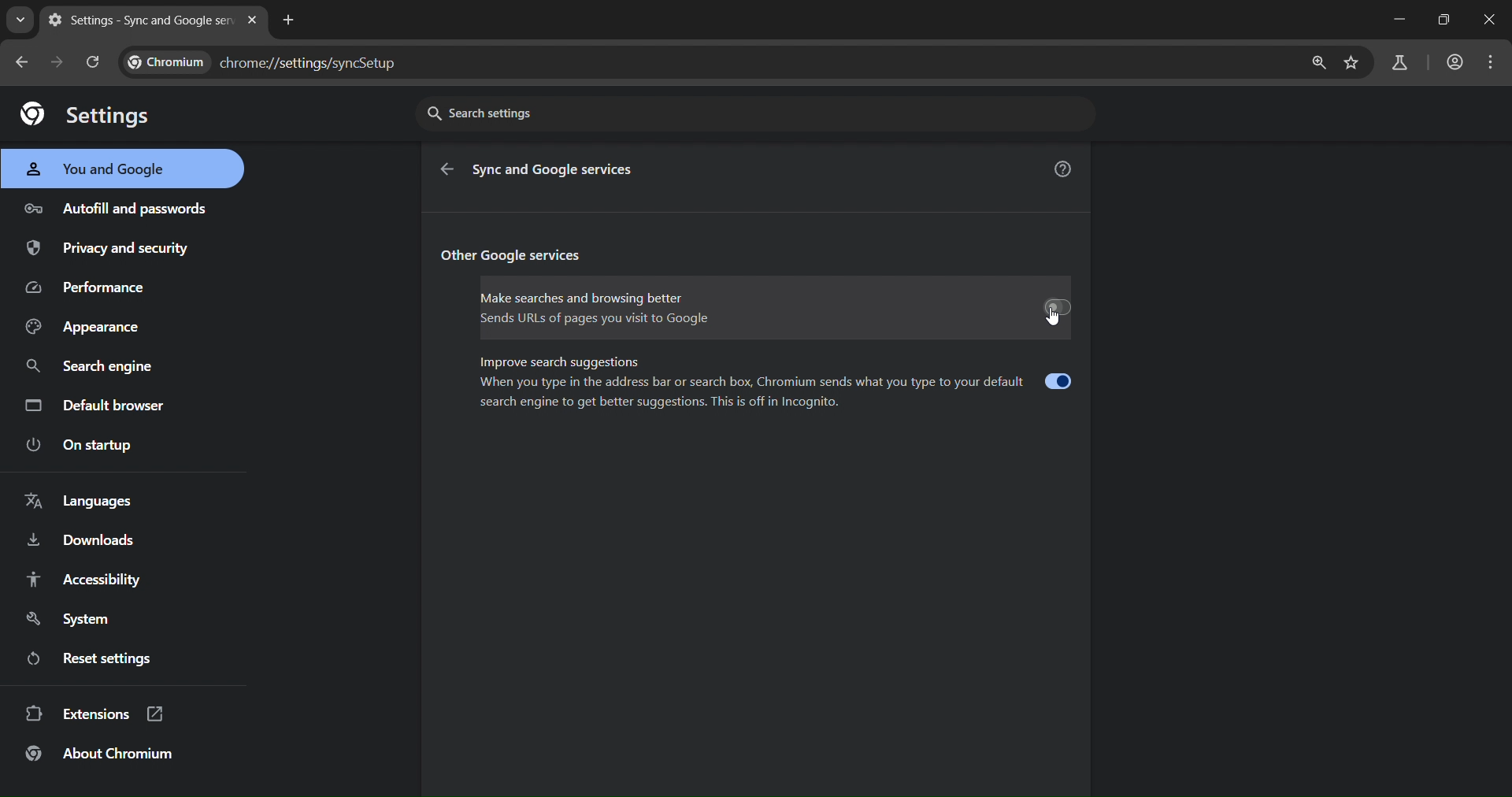 This screenshot has height=797, width=1512. What do you see at coordinates (84, 580) in the screenshot?
I see `accessibility` at bounding box center [84, 580].